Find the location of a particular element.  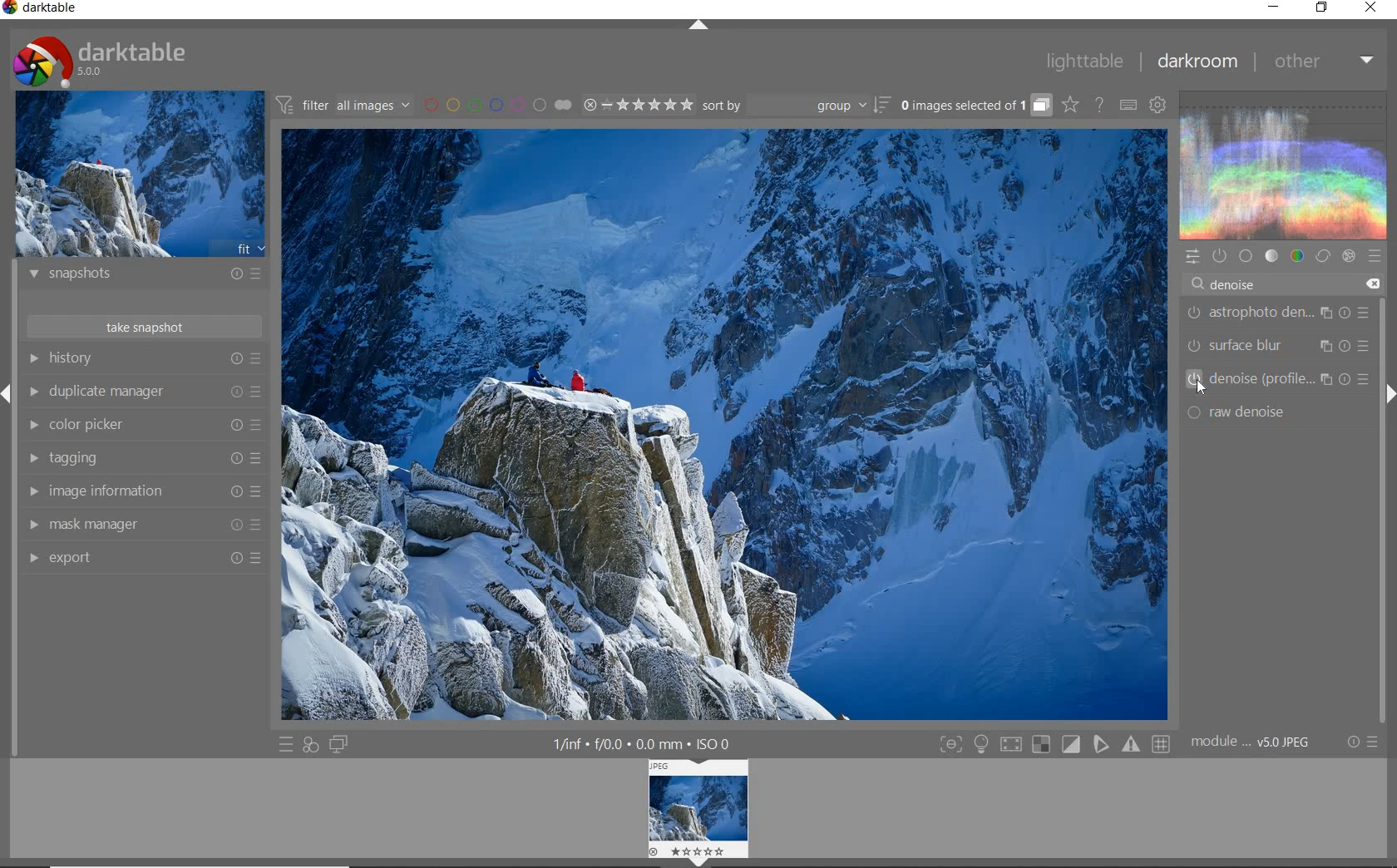

expand/collapse is located at coordinates (697, 26).